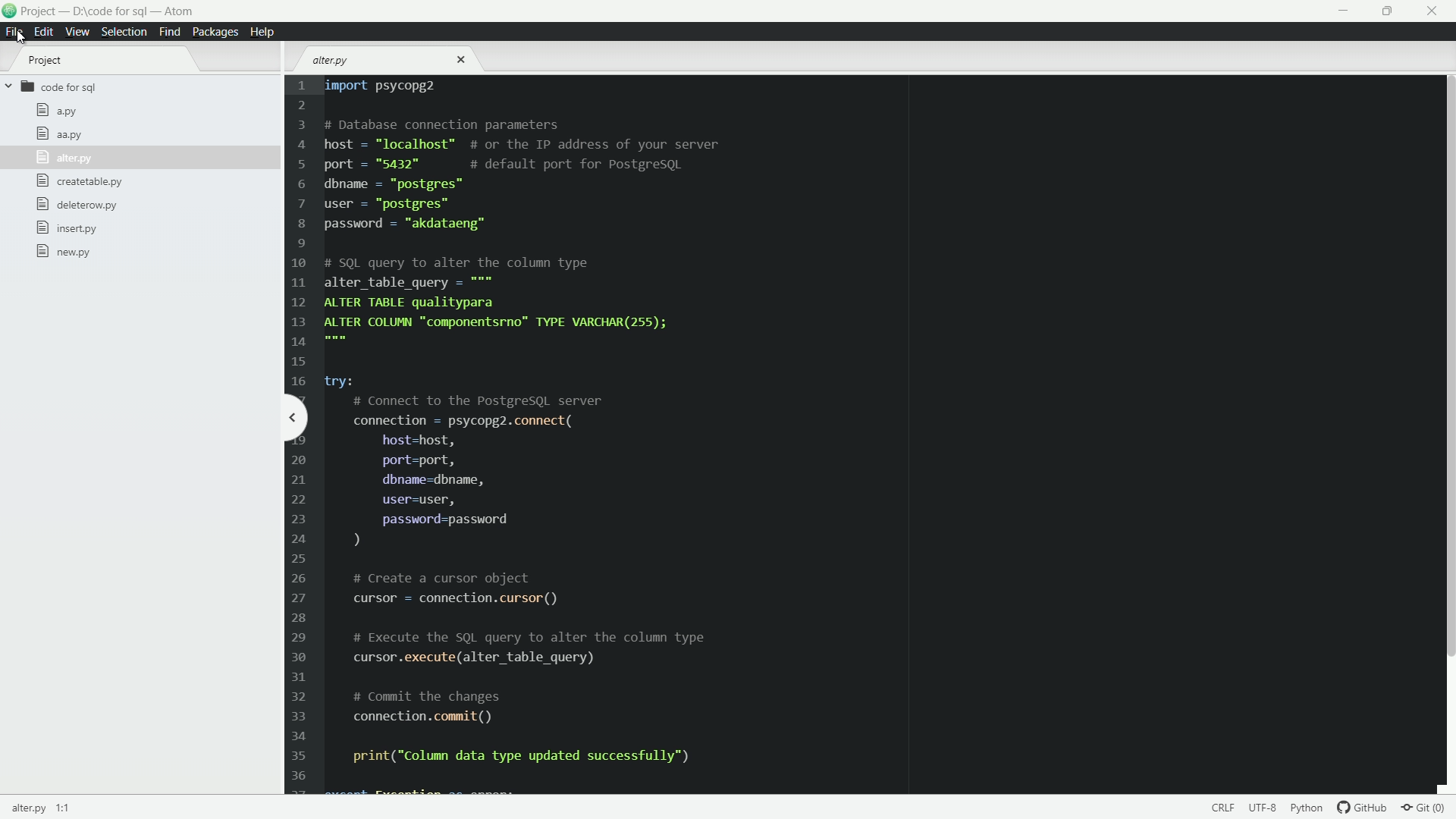 The width and height of the screenshot is (1456, 819). I want to click on select encoding, so click(1221, 807).